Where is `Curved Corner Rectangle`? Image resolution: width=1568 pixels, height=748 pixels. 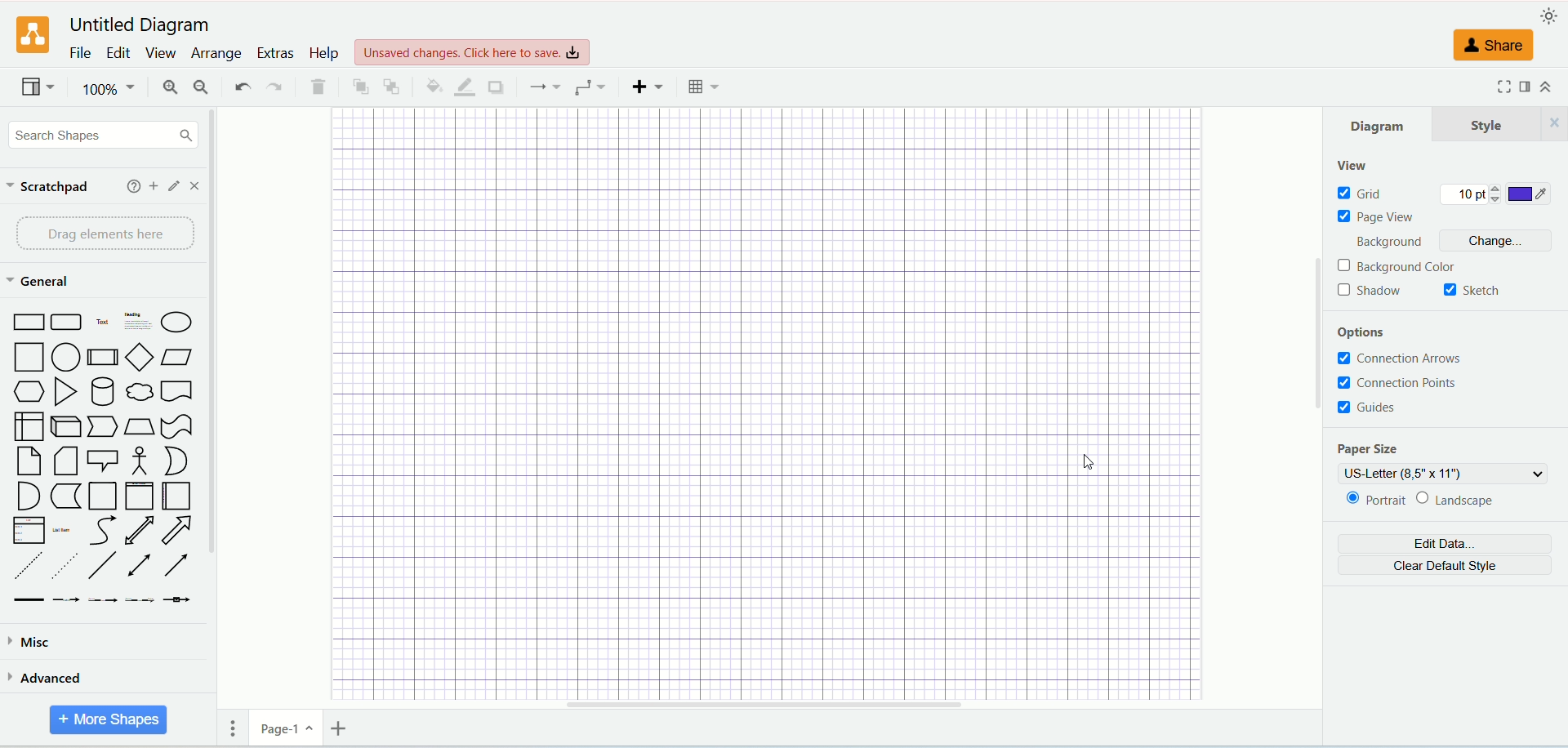 Curved Corner Rectangle is located at coordinates (67, 323).